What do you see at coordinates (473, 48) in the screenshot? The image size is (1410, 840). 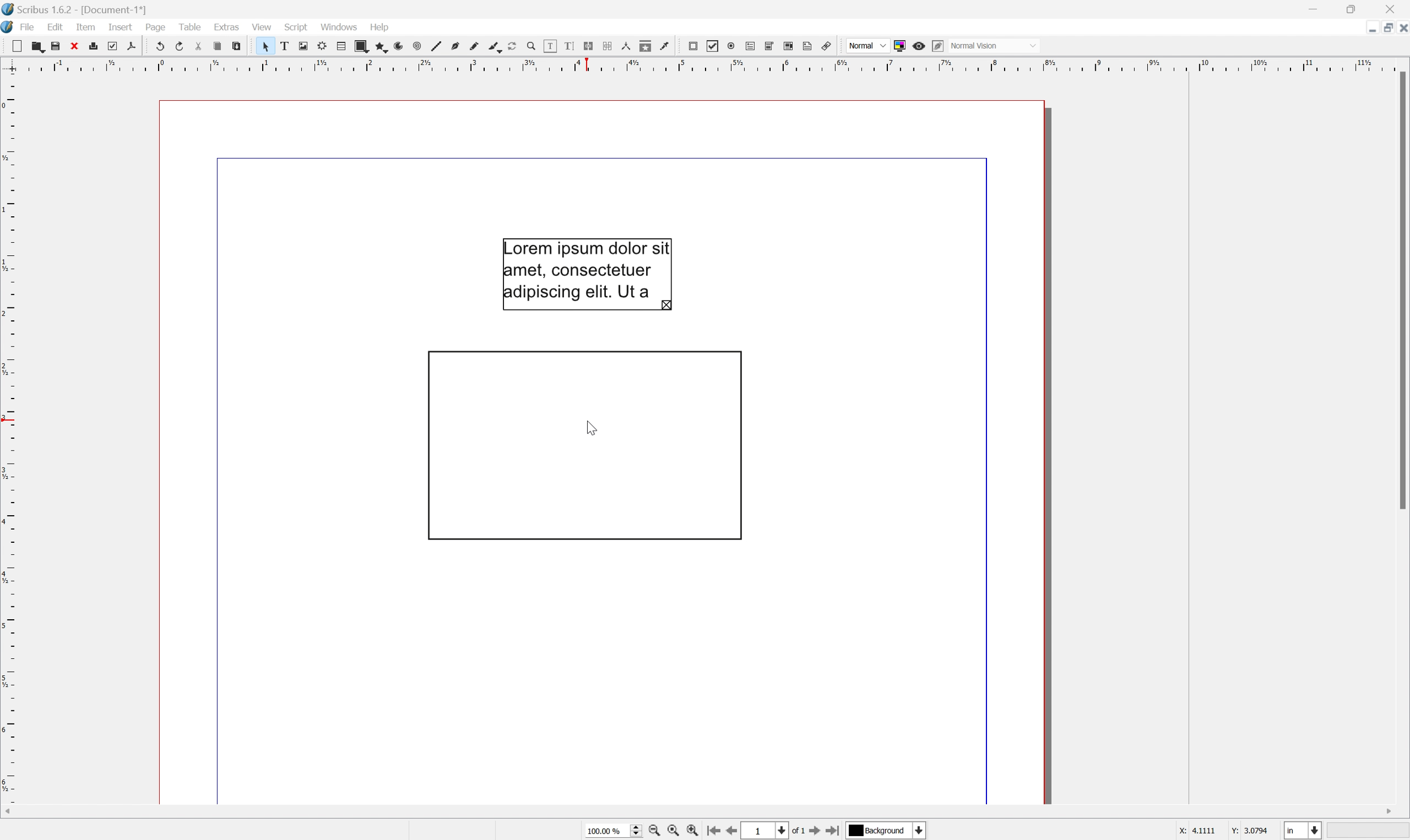 I see `Freehand line` at bounding box center [473, 48].